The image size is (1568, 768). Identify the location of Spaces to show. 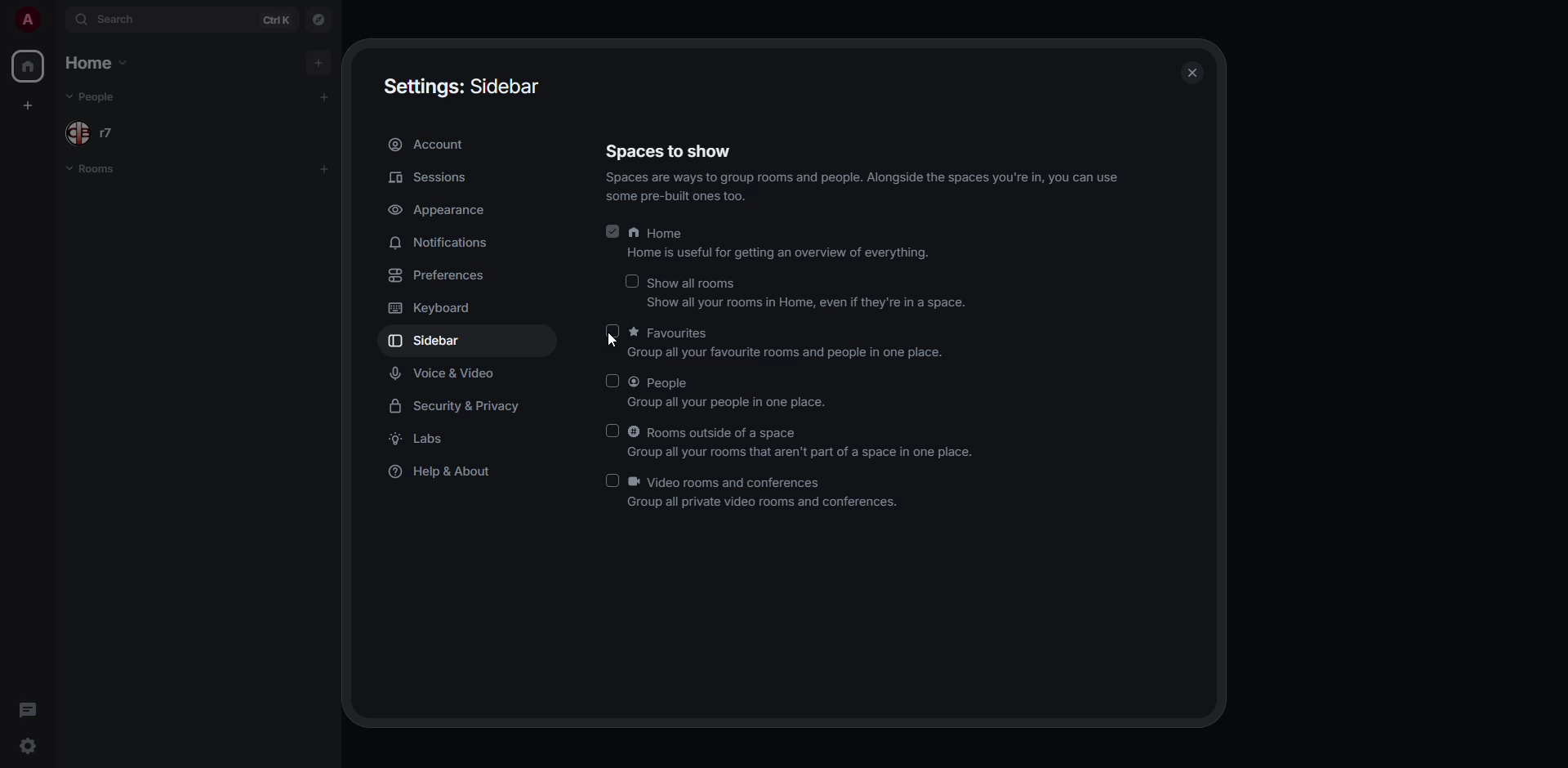
(666, 151).